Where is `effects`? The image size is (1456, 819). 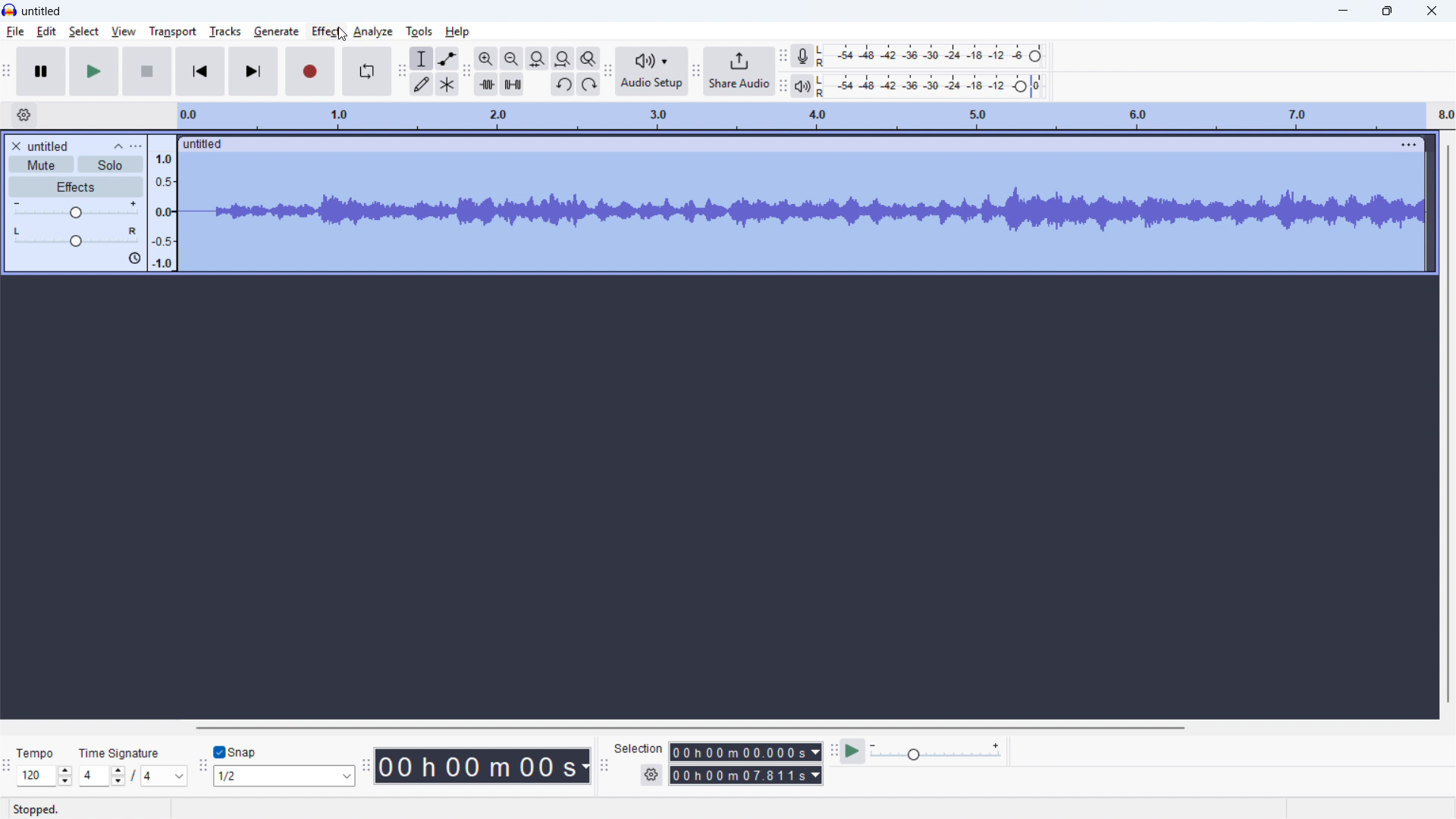
effects is located at coordinates (76, 187).